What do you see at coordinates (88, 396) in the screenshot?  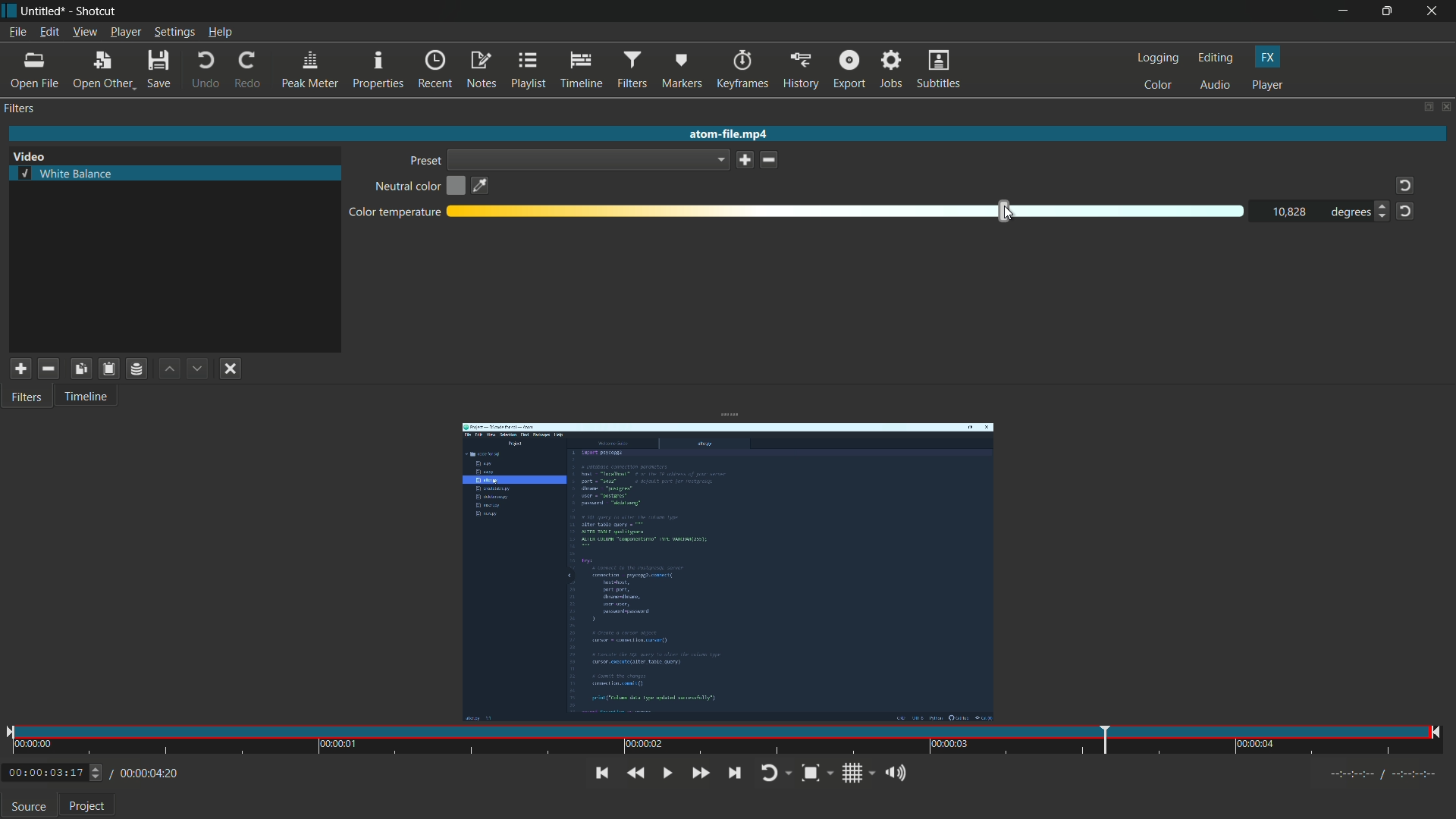 I see `timeline tab` at bounding box center [88, 396].